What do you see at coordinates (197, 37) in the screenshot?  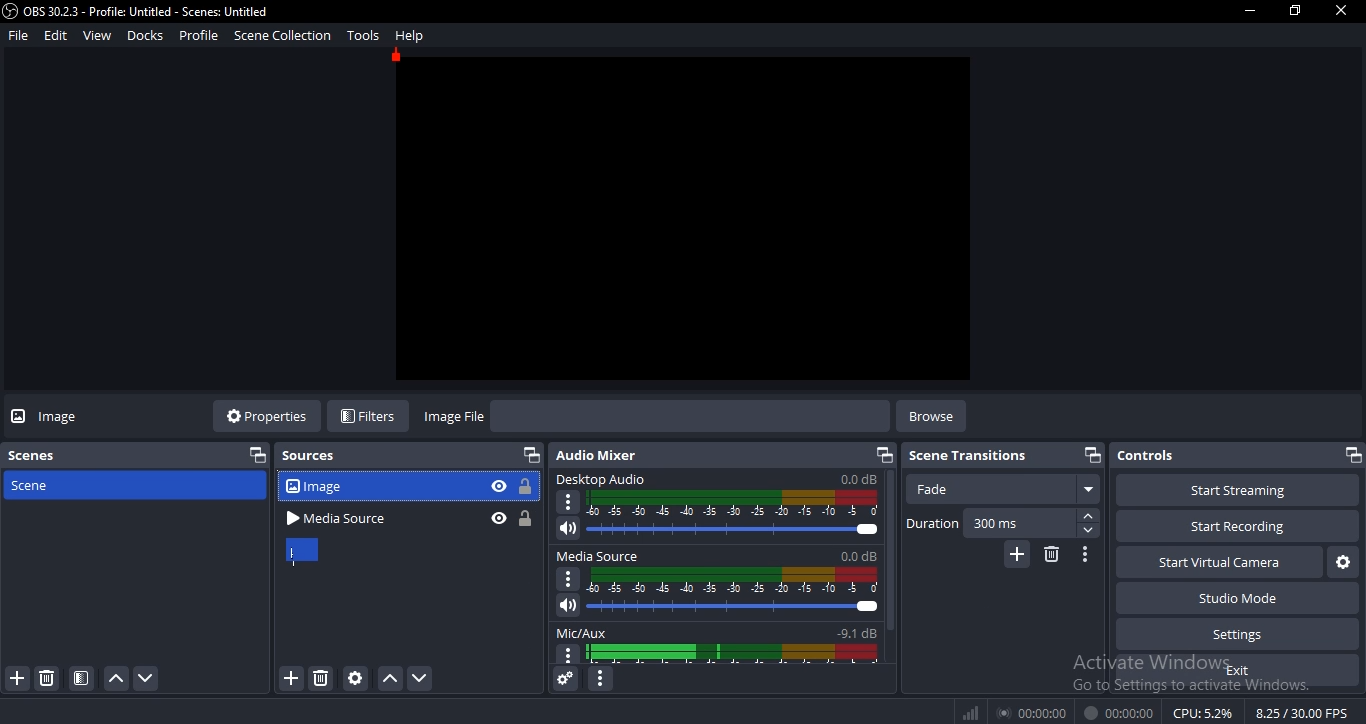 I see `profile` at bounding box center [197, 37].